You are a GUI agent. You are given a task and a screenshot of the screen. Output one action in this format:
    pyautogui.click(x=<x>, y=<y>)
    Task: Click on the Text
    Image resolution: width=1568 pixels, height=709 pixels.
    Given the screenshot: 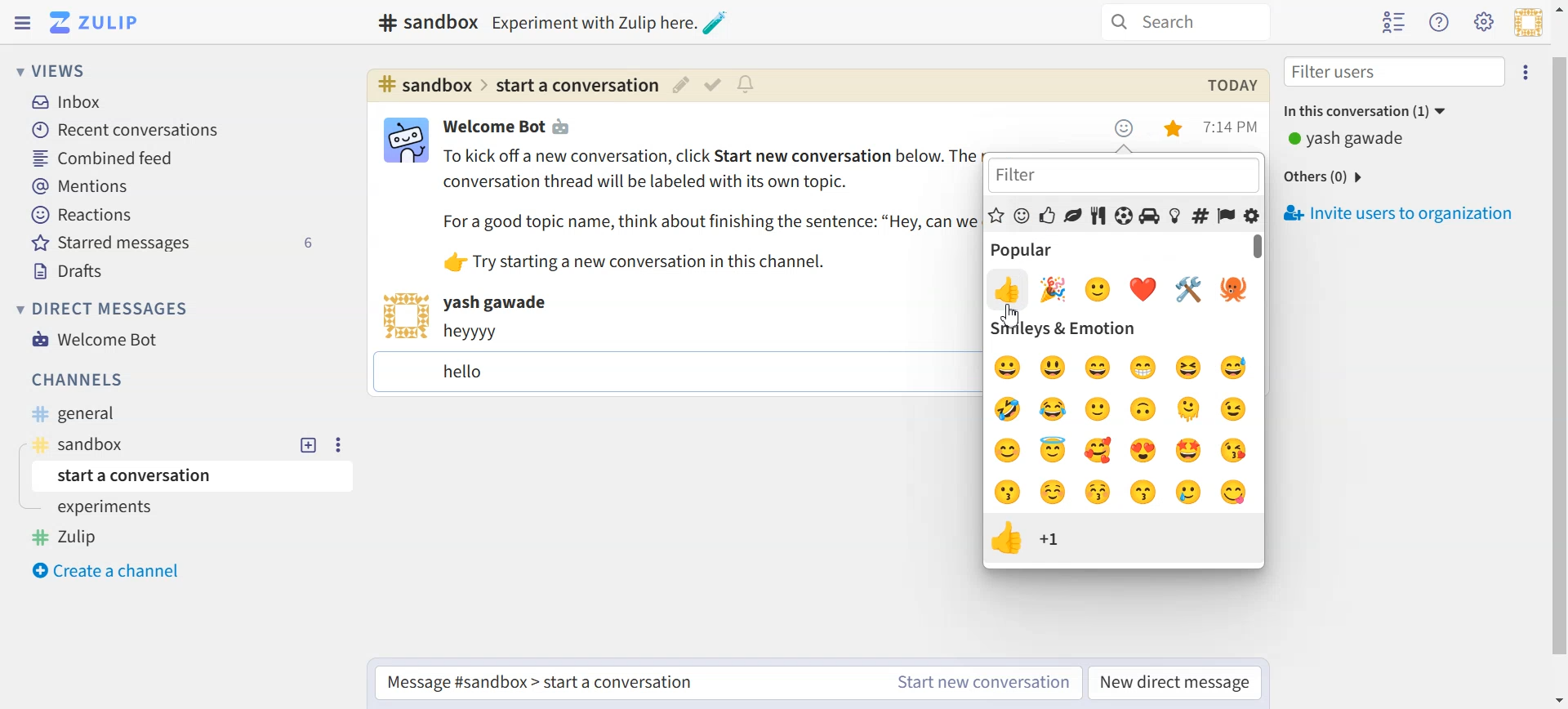 What is the action you would take?
    pyautogui.click(x=1348, y=140)
    